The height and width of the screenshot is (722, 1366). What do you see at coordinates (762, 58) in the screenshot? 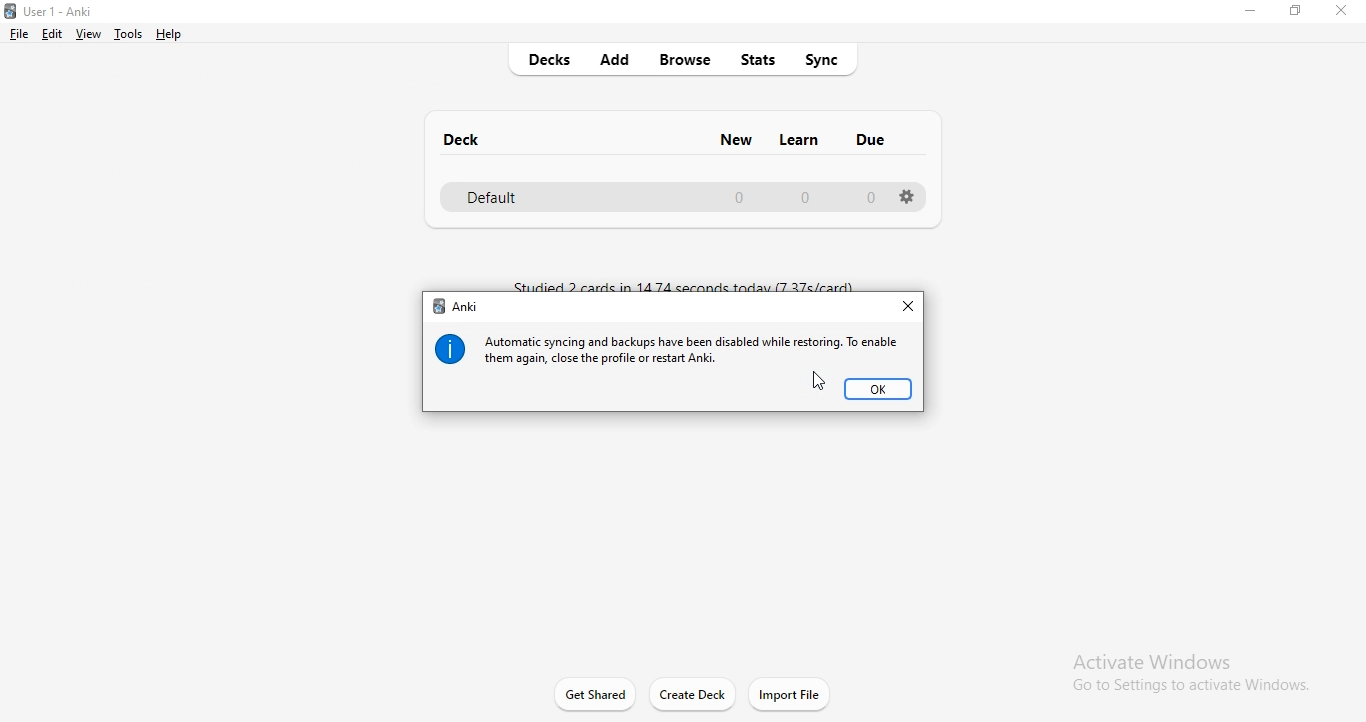
I see `stats` at bounding box center [762, 58].